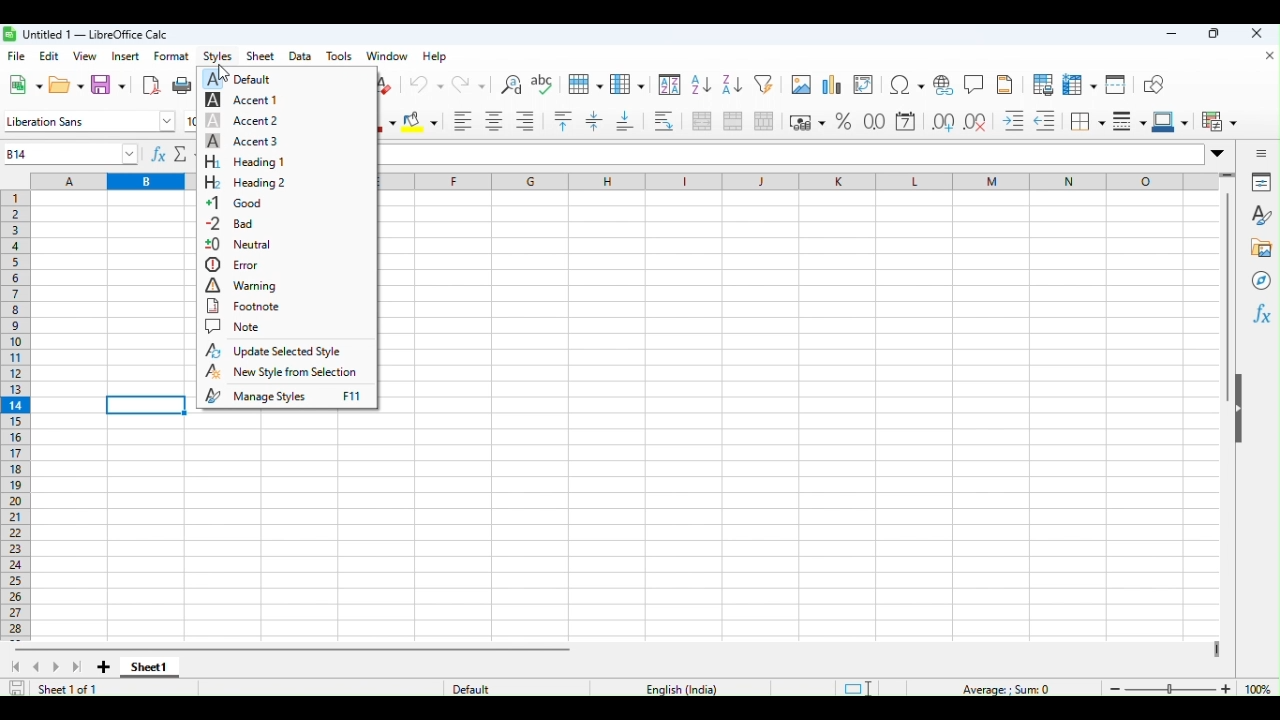 The height and width of the screenshot is (720, 1280). Describe the element at coordinates (464, 689) in the screenshot. I see `Default` at that location.